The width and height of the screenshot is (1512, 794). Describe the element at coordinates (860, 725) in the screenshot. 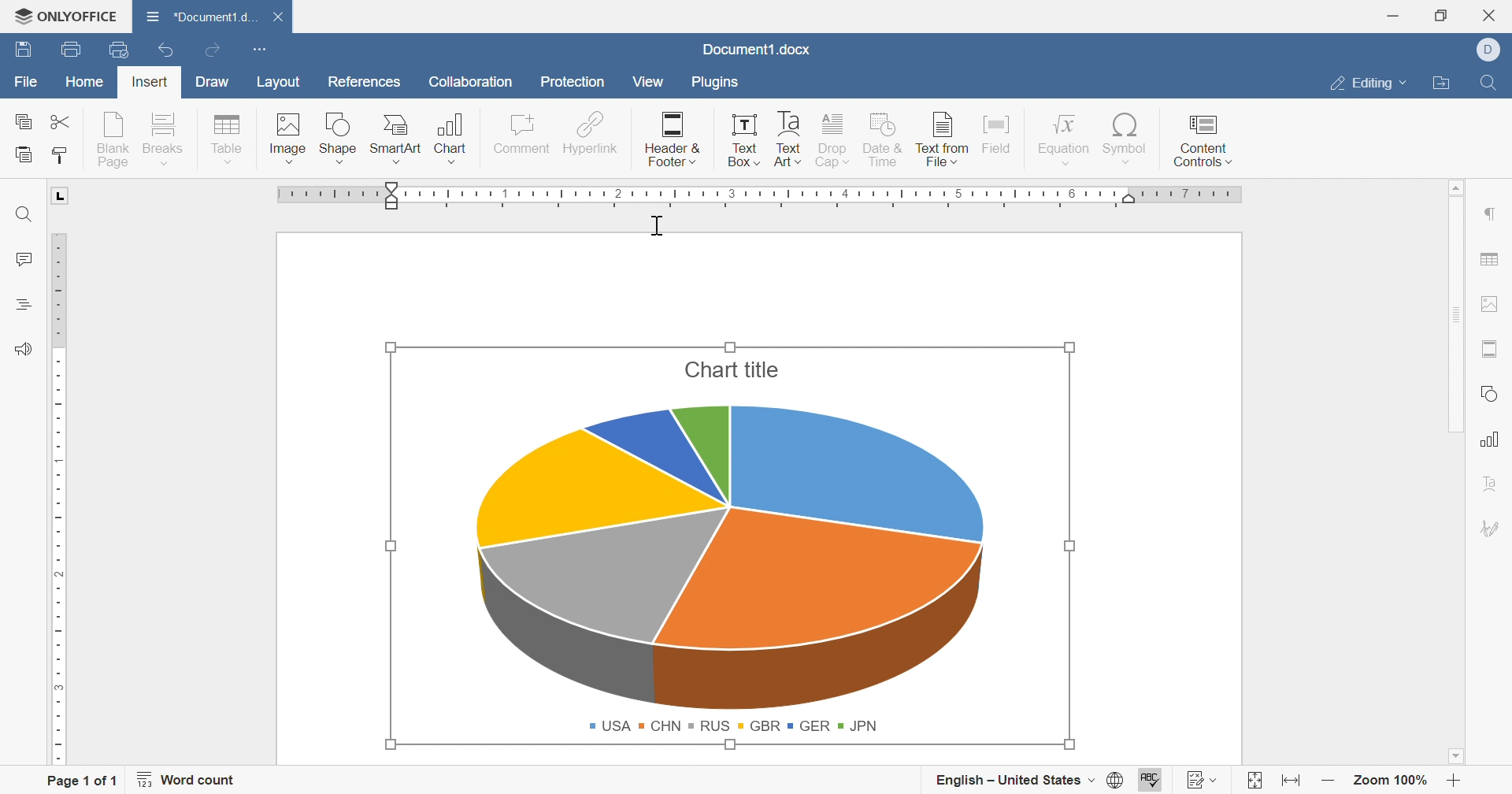

I see `JPN` at that location.